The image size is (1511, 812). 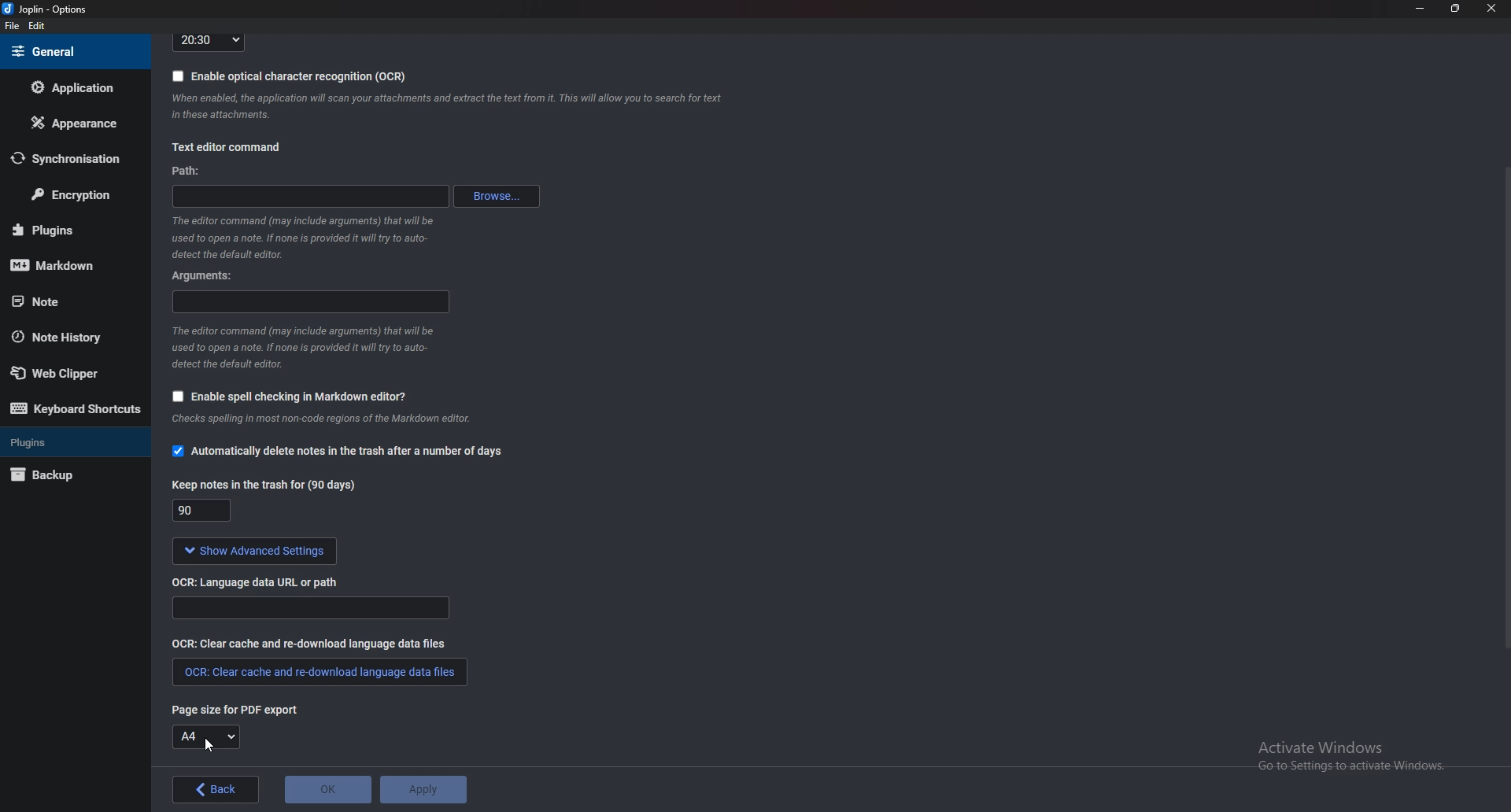 I want to click on Scroll bar, so click(x=1505, y=405).